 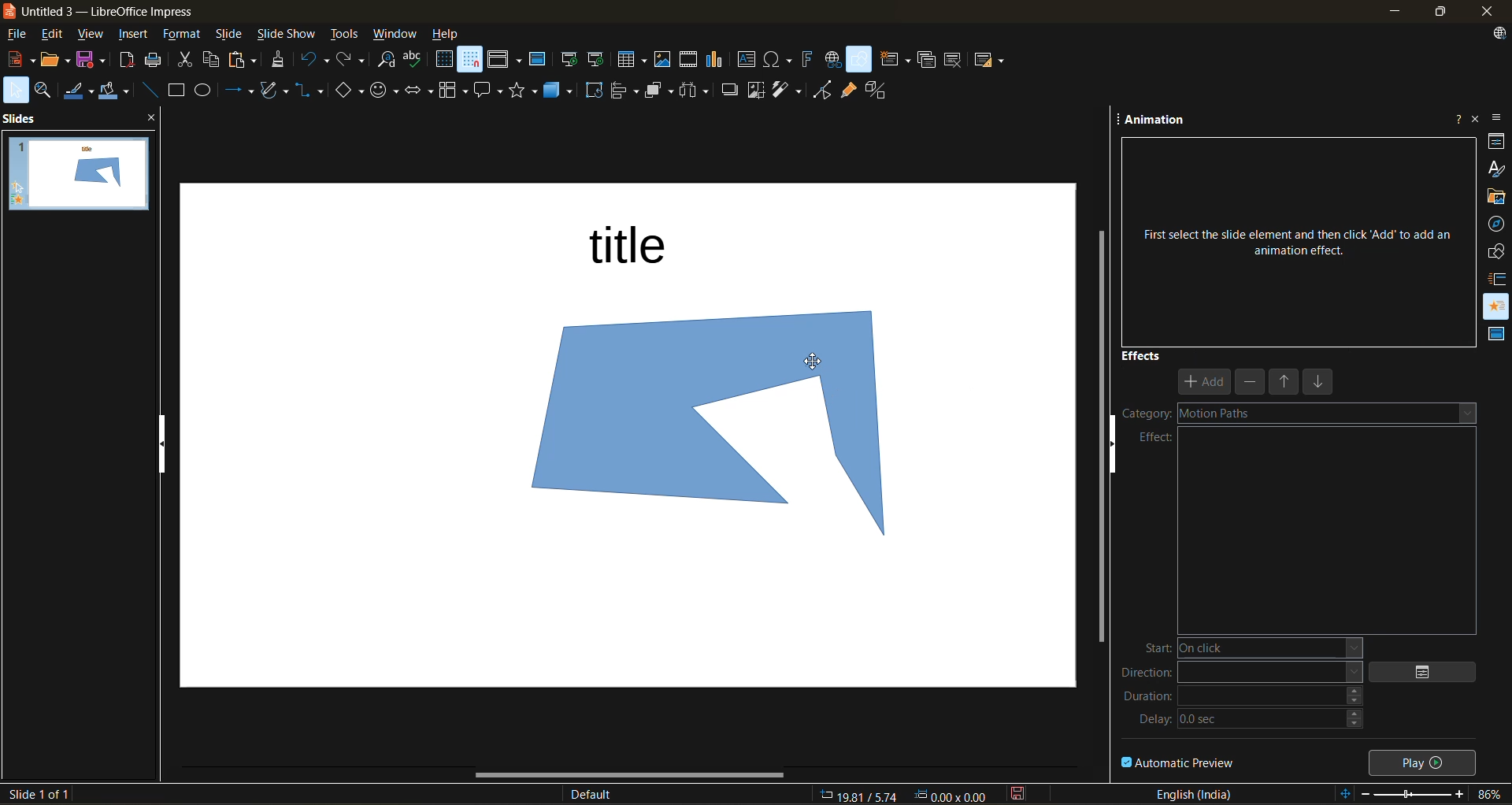 I want to click on slide show, so click(x=286, y=35).